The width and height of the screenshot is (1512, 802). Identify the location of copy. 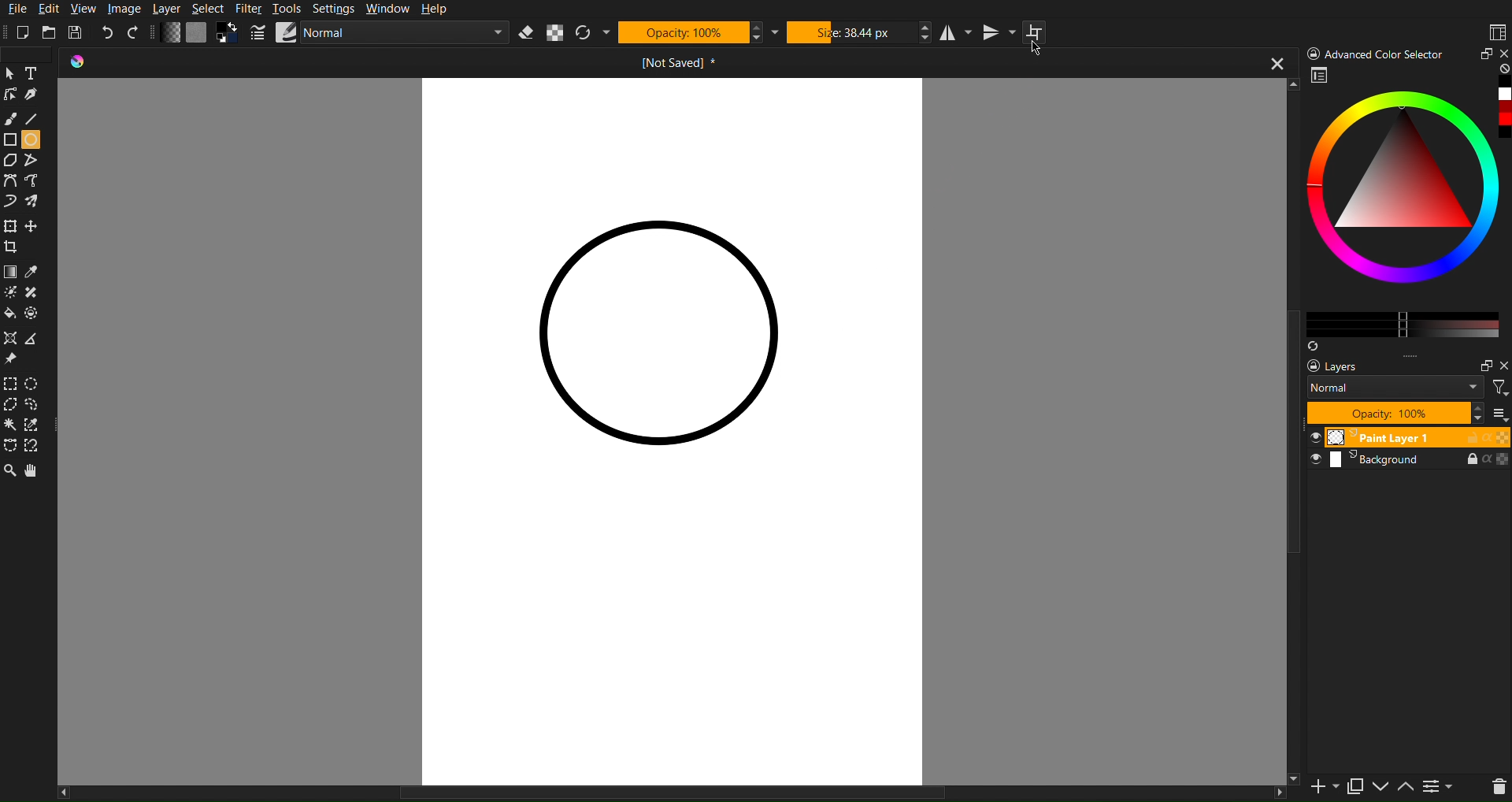
(1352, 788).